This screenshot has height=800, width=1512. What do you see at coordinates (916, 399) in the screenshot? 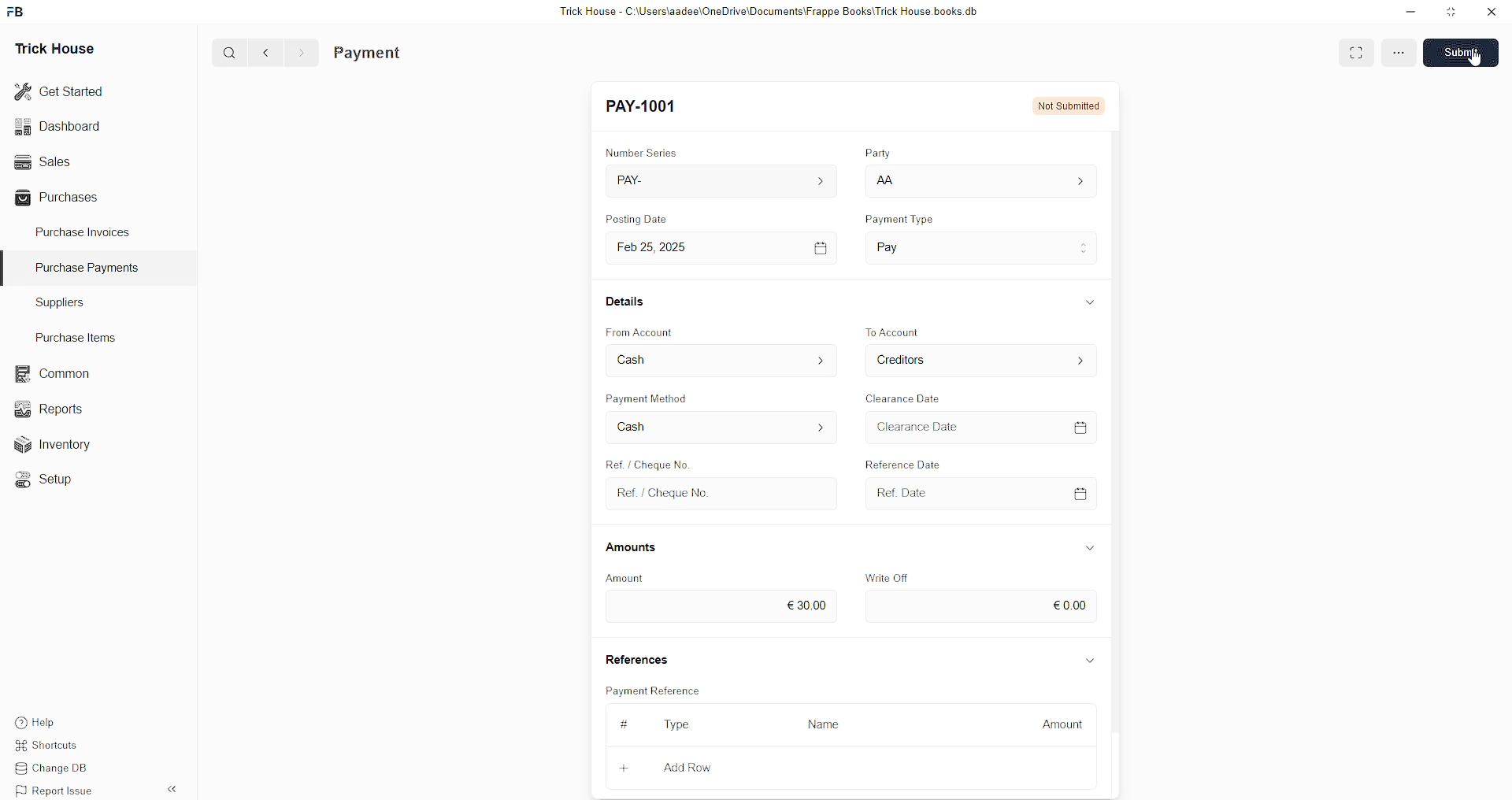
I see `Clearance Date` at bounding box center [916, 399].